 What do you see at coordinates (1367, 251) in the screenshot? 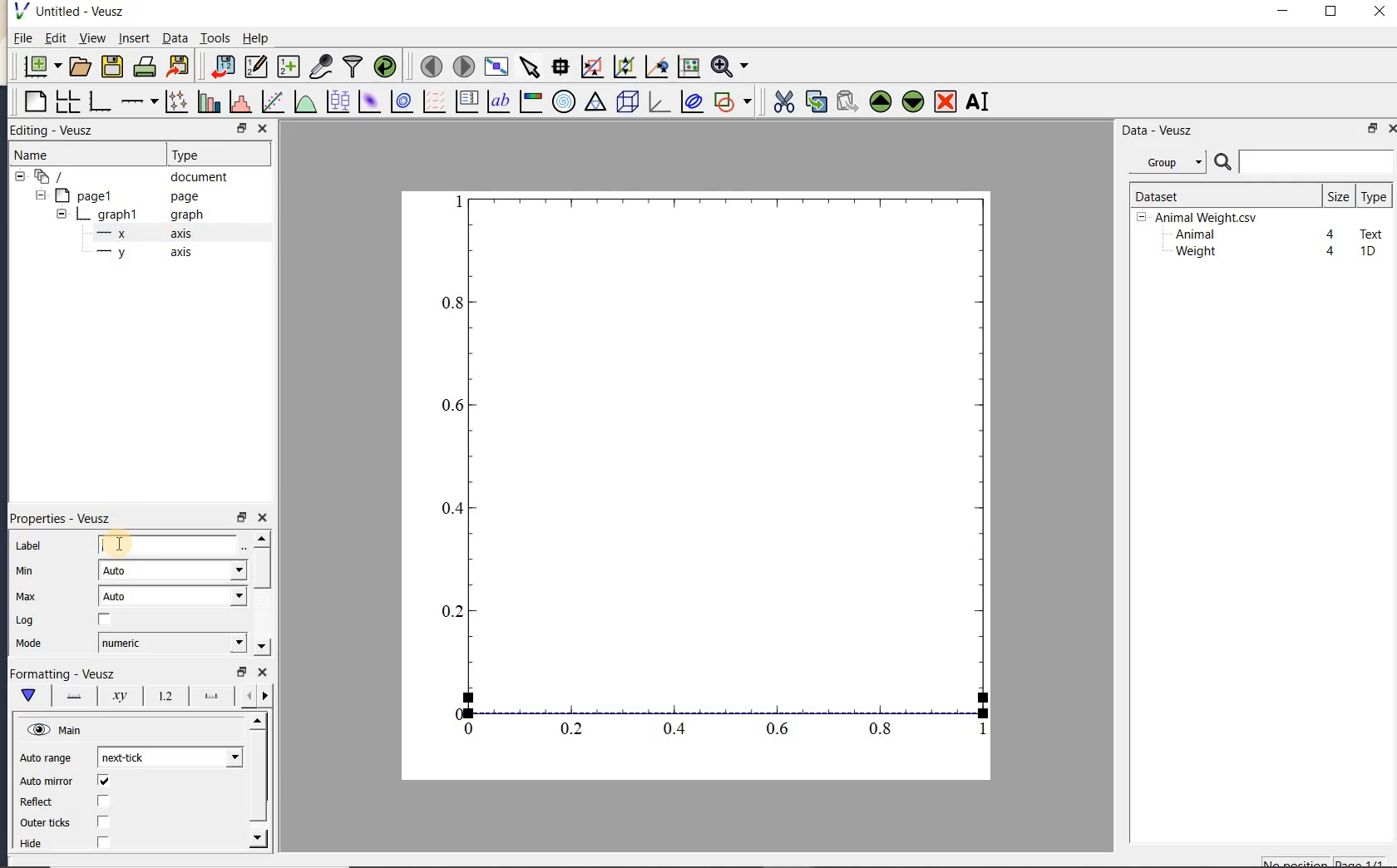
I see `1D` at bounding box center [1367, 251].